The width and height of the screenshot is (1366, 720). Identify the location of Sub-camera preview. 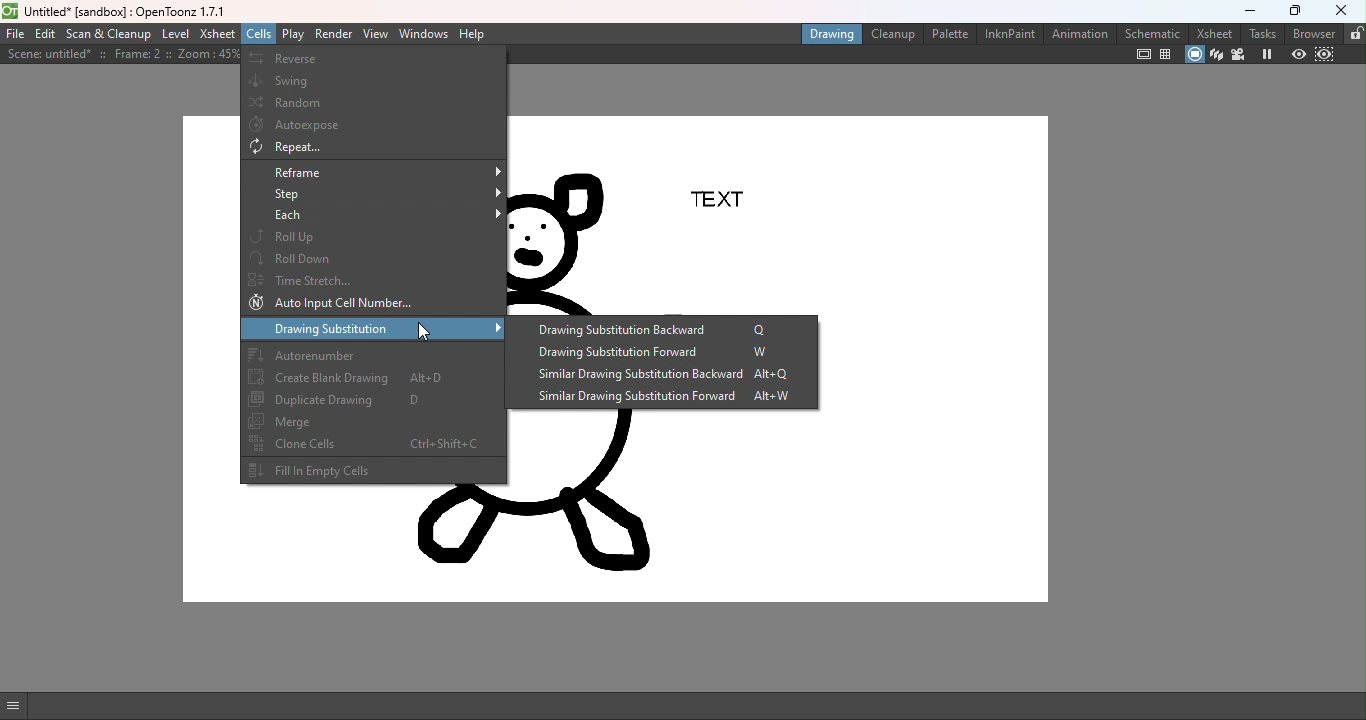
(1325, 55).